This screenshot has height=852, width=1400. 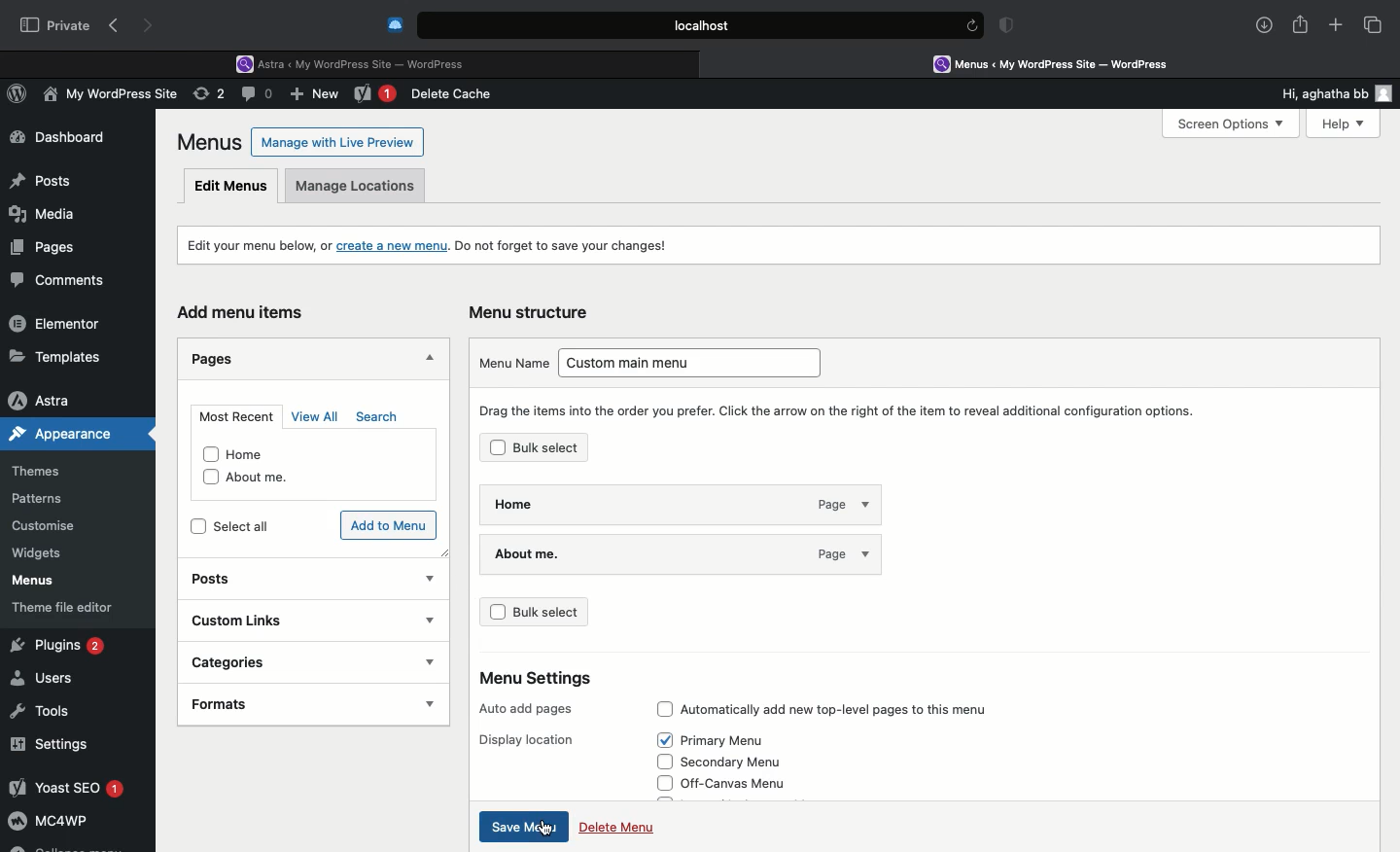 What do you see at coordinates (664, 708) in the screenshot?
I see `Check box` at bounding box center [664, 708].